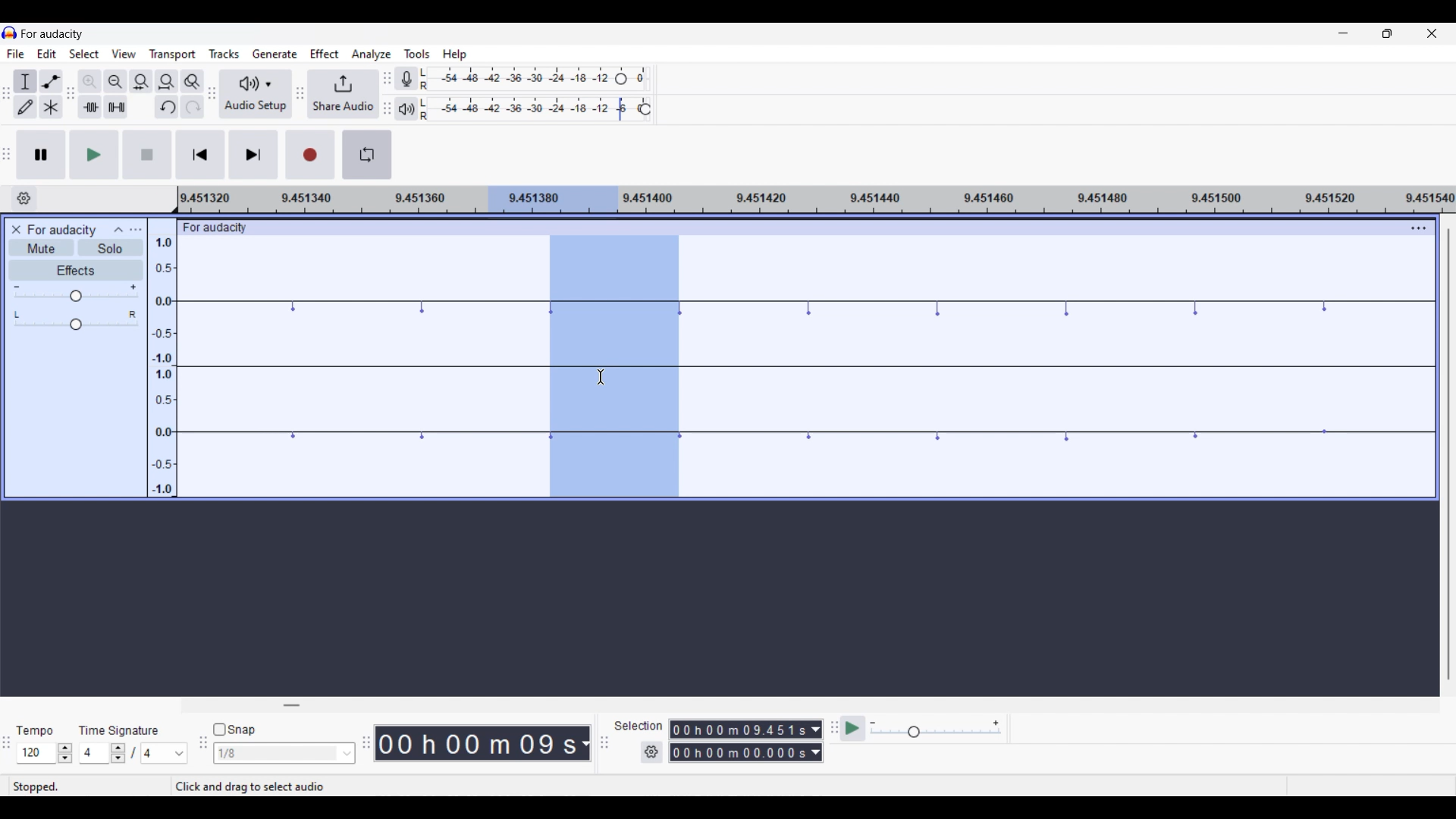  What do you see at coordinates (91, 107) in the screenshot?
I see `Trim audio outside selection` at bounding box center [91, 107].